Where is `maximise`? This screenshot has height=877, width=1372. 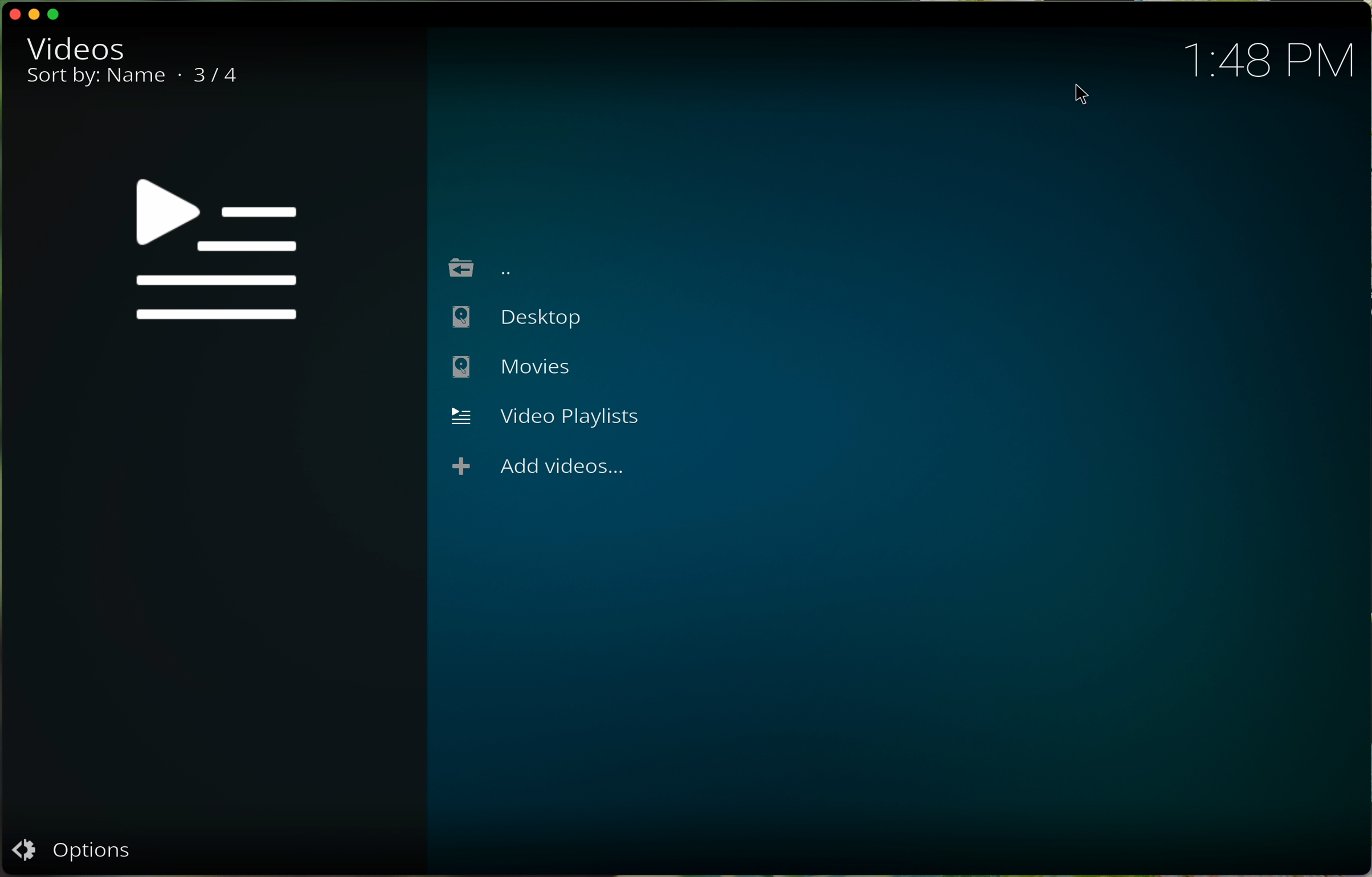 maximise is located at coordinates (57, 15).